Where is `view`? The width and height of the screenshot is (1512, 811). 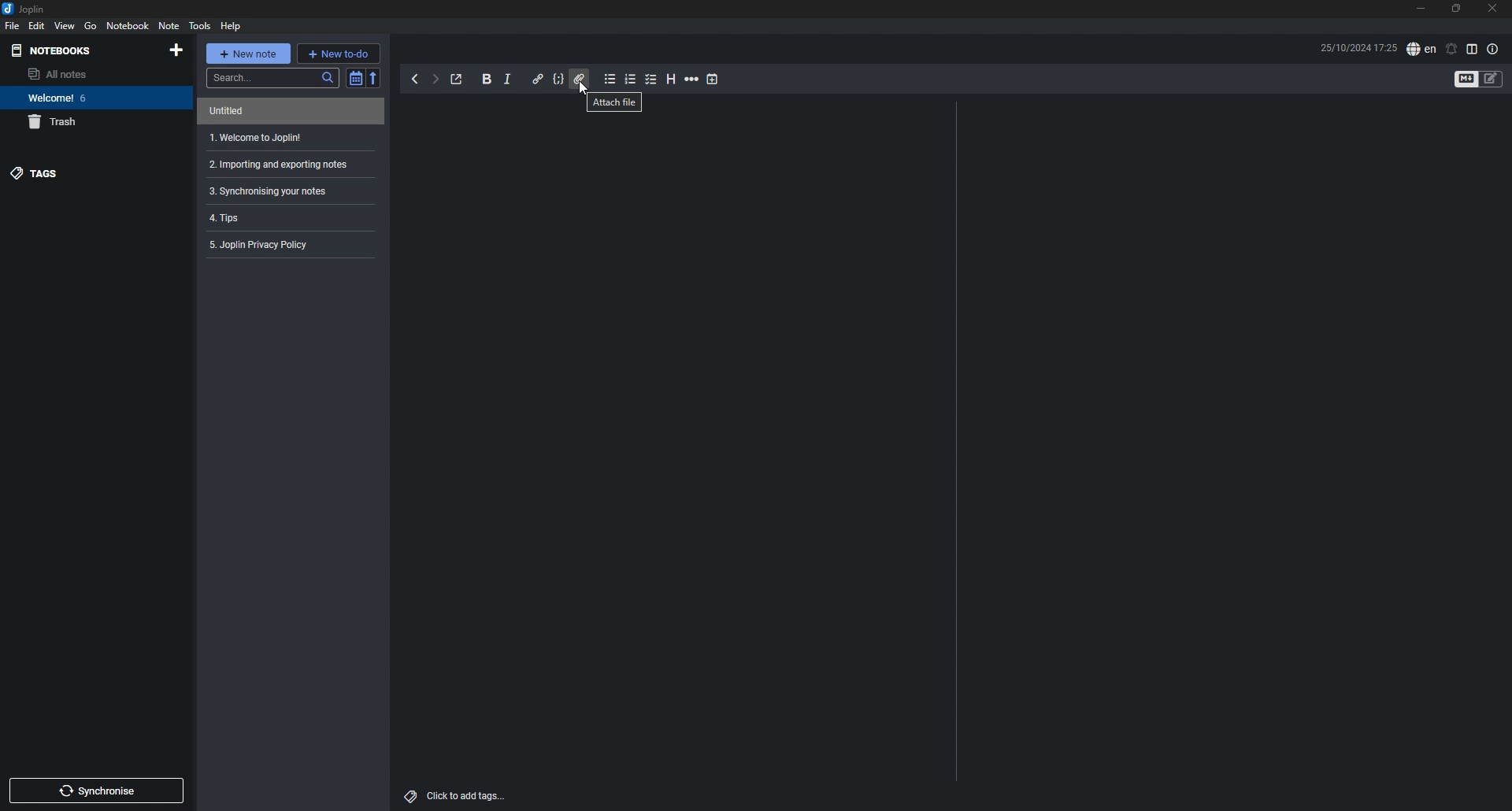
view is located at coordinates (65, 25).